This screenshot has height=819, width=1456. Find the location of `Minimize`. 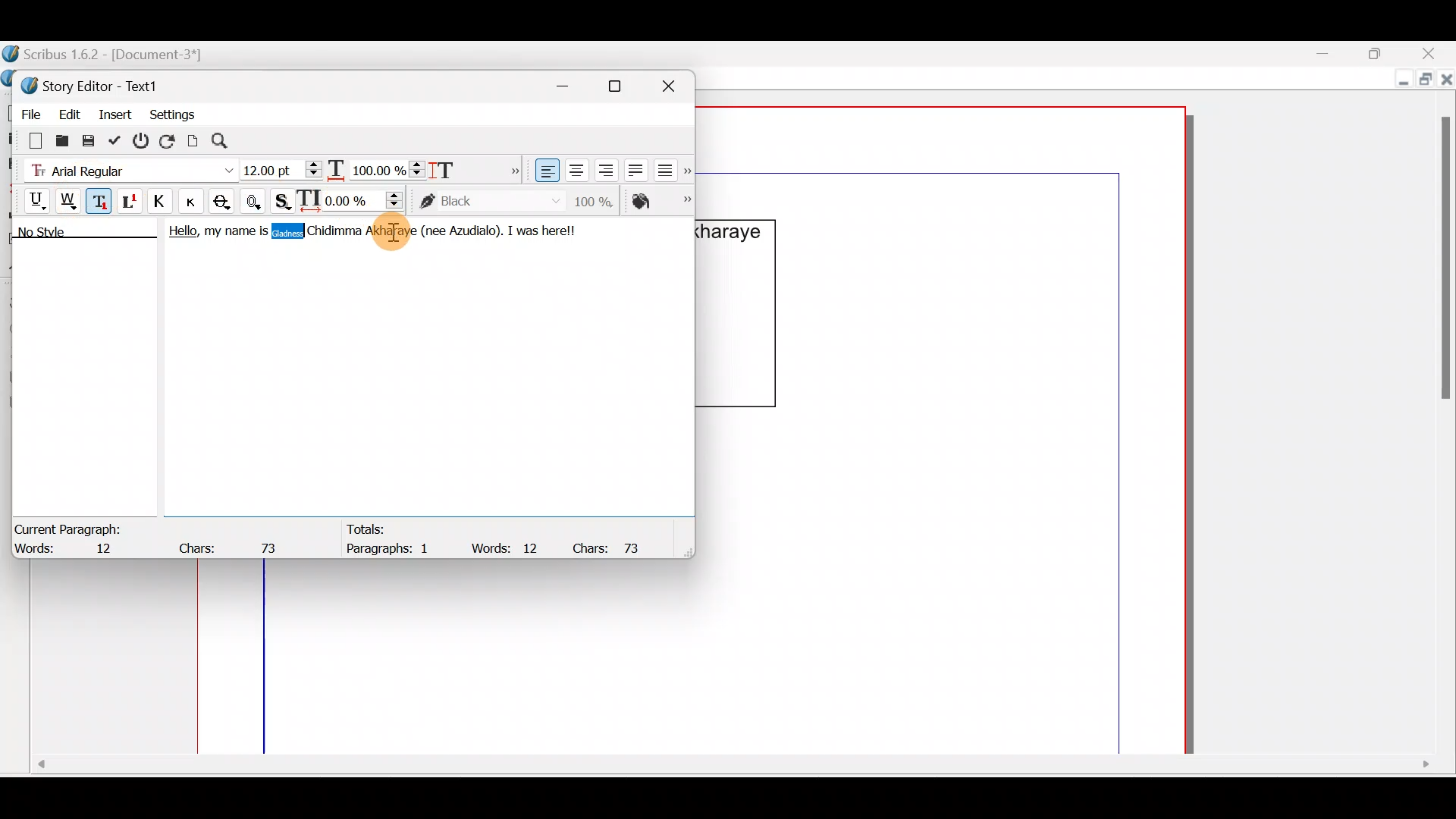

Minimize is located at coordinates (1334, 54).